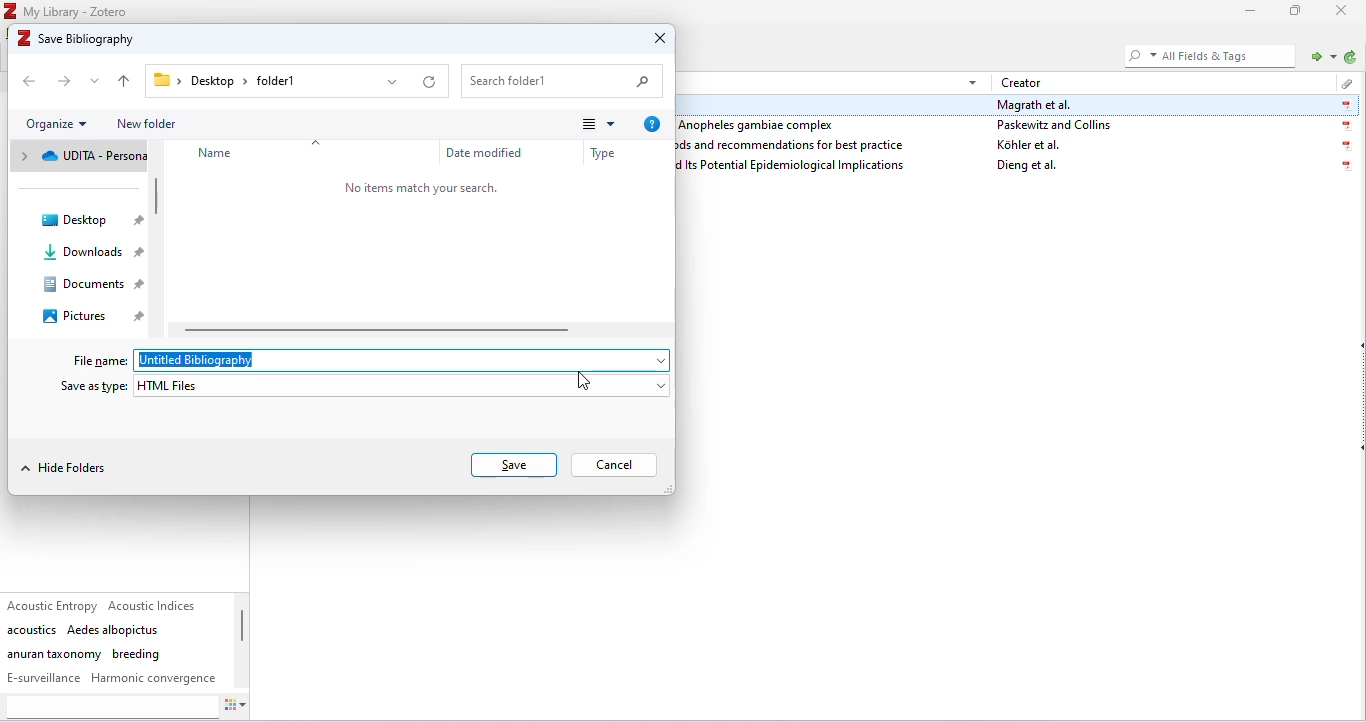 The width and height of the screenshot is (1366, 722). I want to click on minimize, so click(1246, 12).